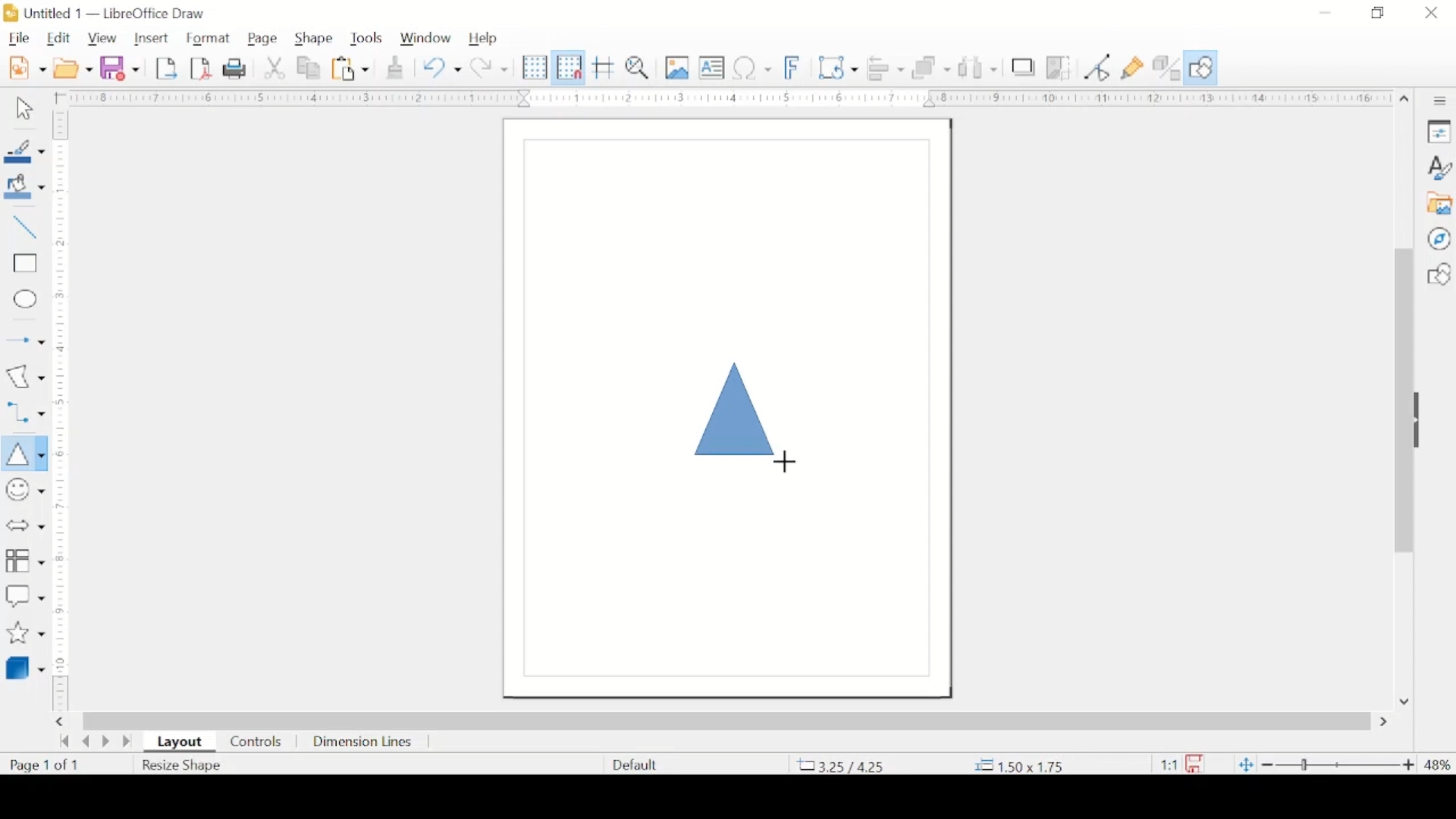 The image size is (1456, 819). Describe the element at coordinates (395, 67) in the screenshot. I see `clone formatting` at that location.